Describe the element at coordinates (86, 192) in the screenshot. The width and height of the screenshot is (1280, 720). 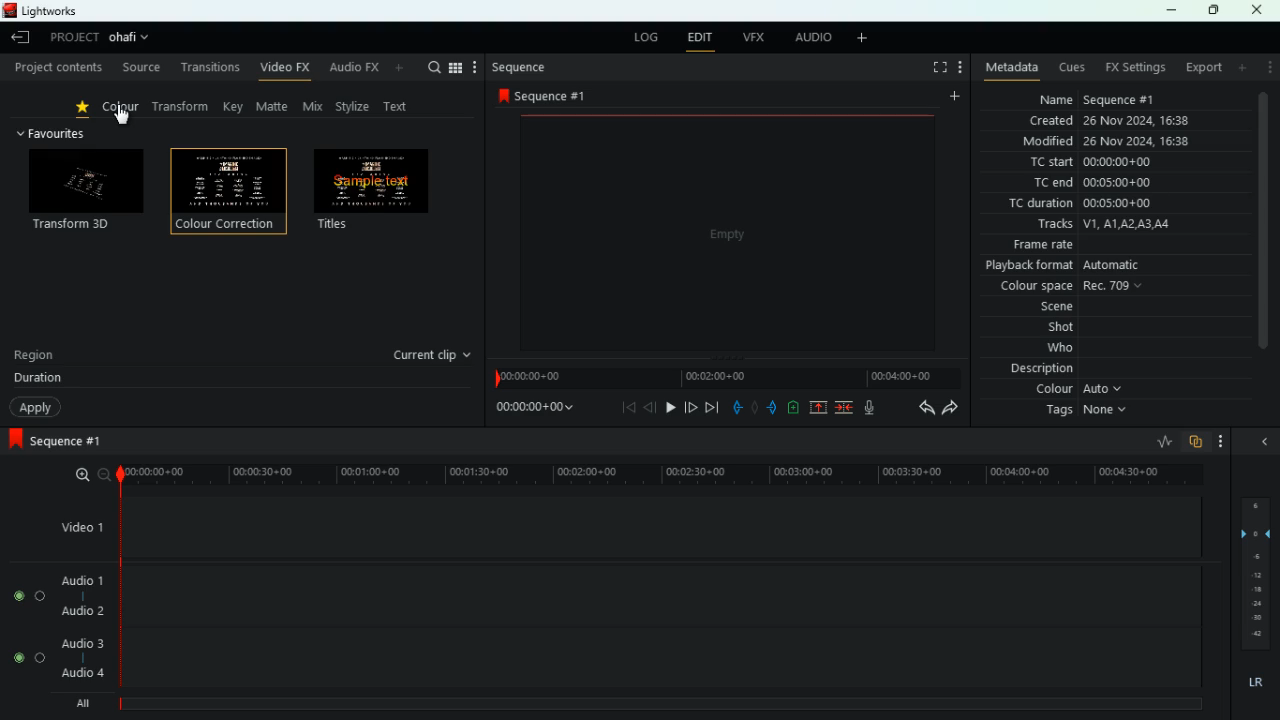
I see `transform 3D` at that location.